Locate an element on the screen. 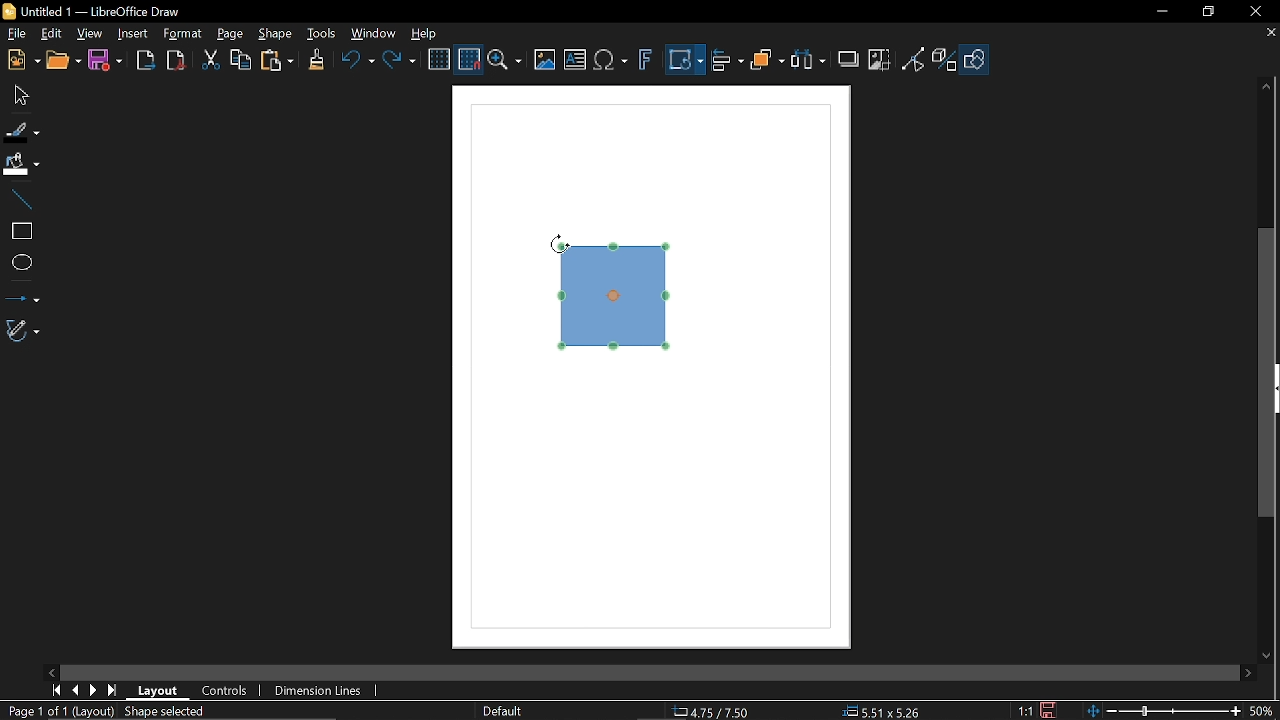  Display grid is located at coordinates (438, 60).